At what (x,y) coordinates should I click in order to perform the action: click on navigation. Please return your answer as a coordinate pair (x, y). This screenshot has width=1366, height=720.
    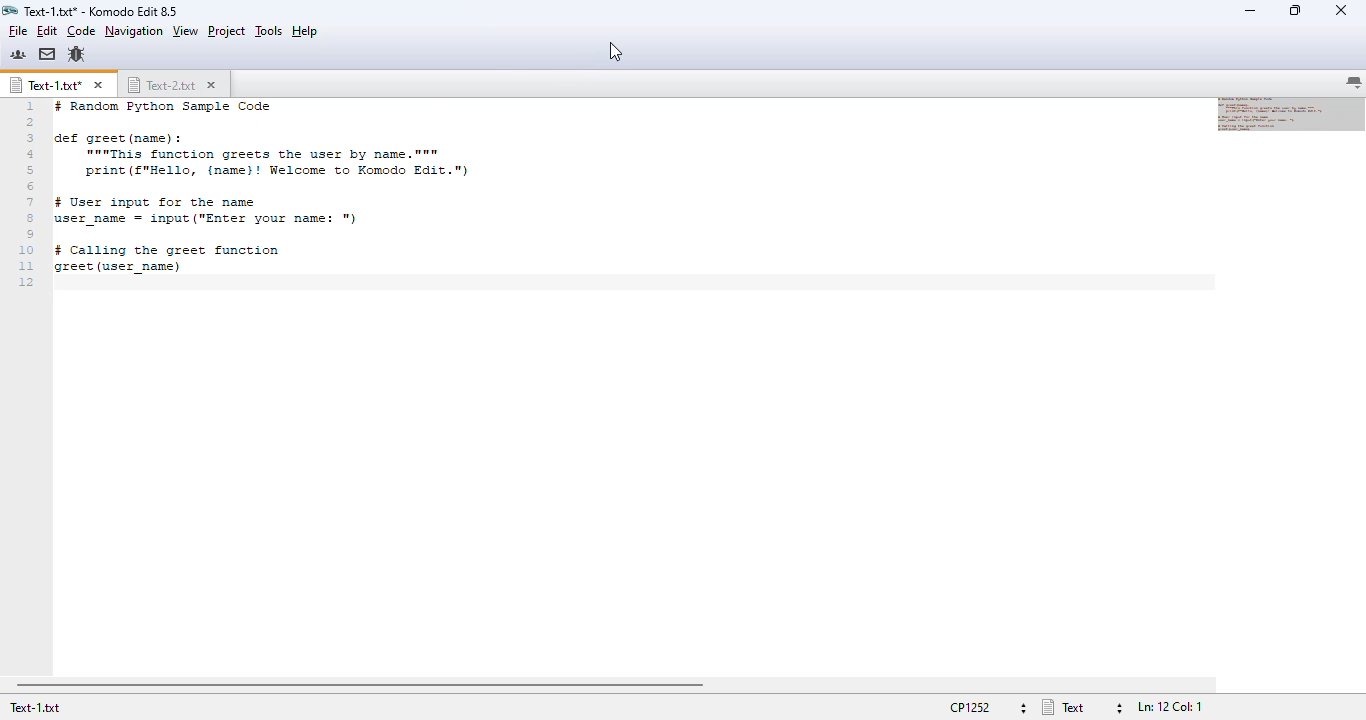
    Looking at the image, I should click on (134, 30).